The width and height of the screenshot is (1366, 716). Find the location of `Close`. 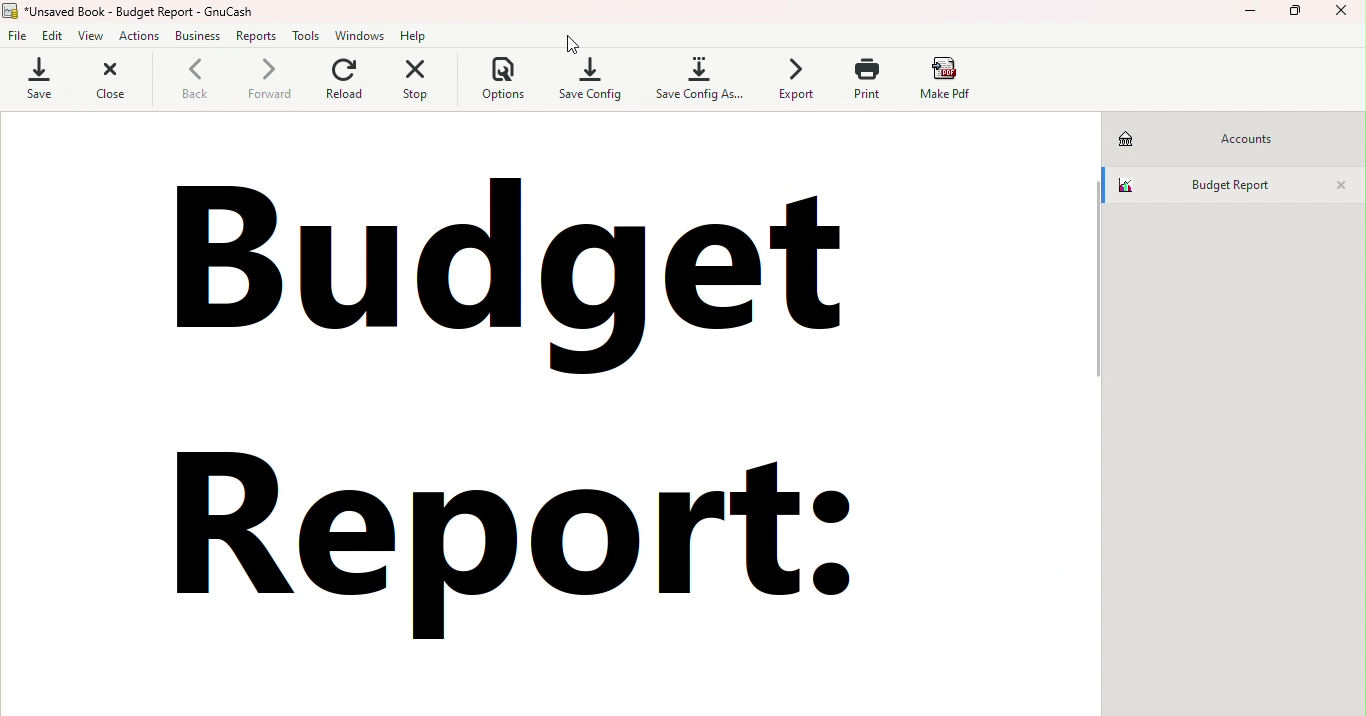

Close is located at coordinates (1341, 13).